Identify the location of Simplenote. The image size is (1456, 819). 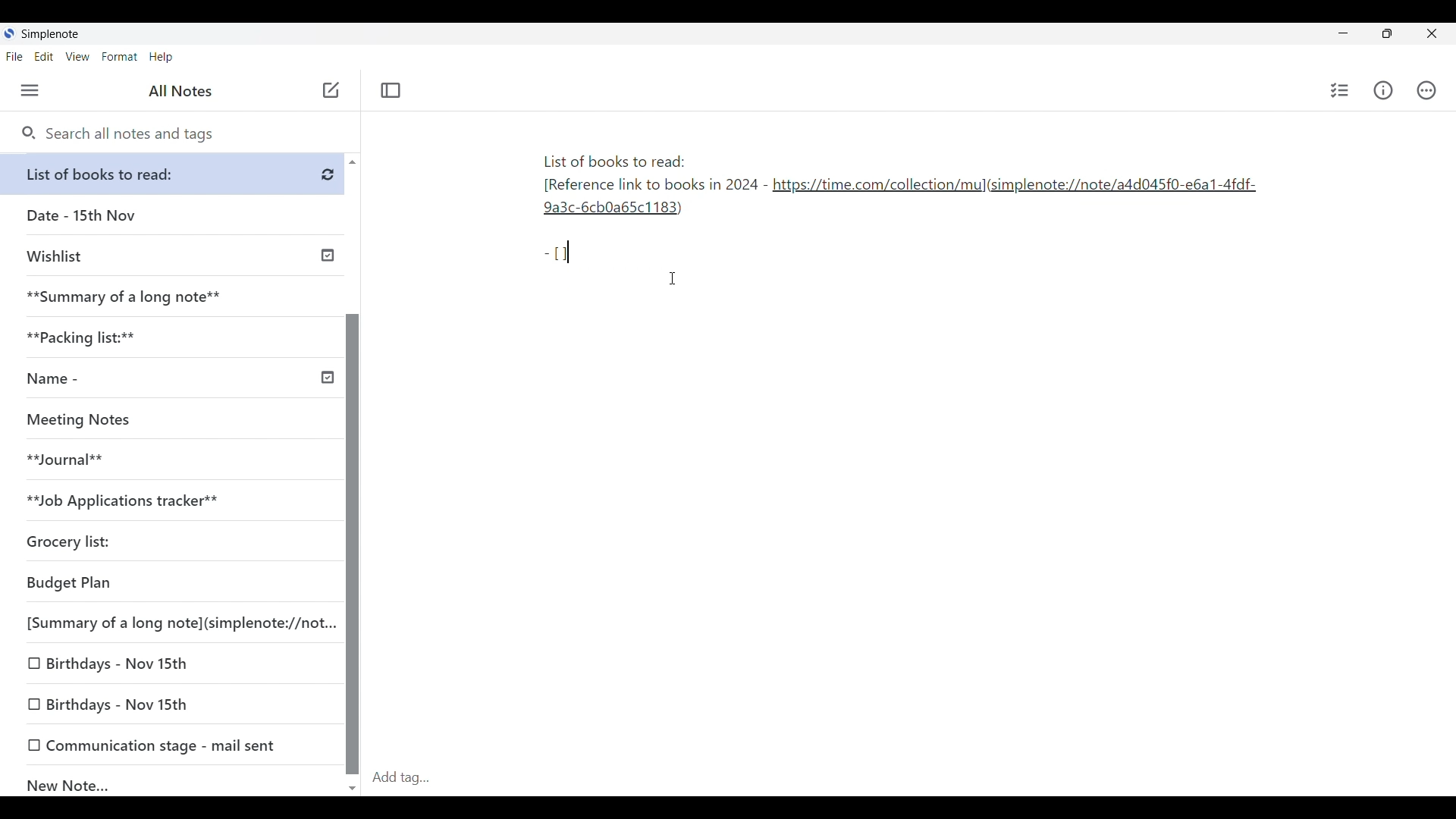
(49, 34).